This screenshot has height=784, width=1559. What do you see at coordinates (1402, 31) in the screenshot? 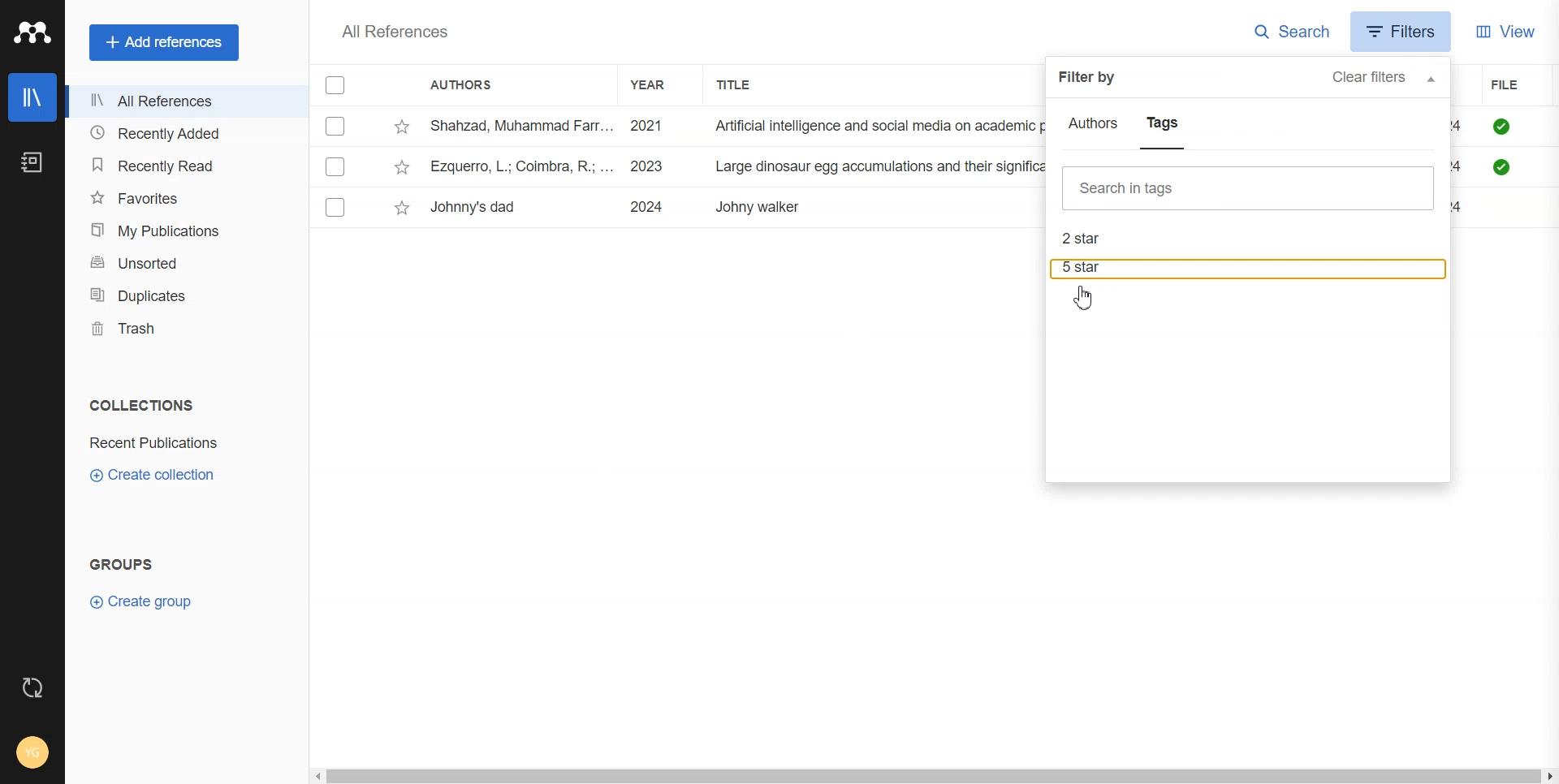
I see `Filters` at bounding box center [1402, 31].